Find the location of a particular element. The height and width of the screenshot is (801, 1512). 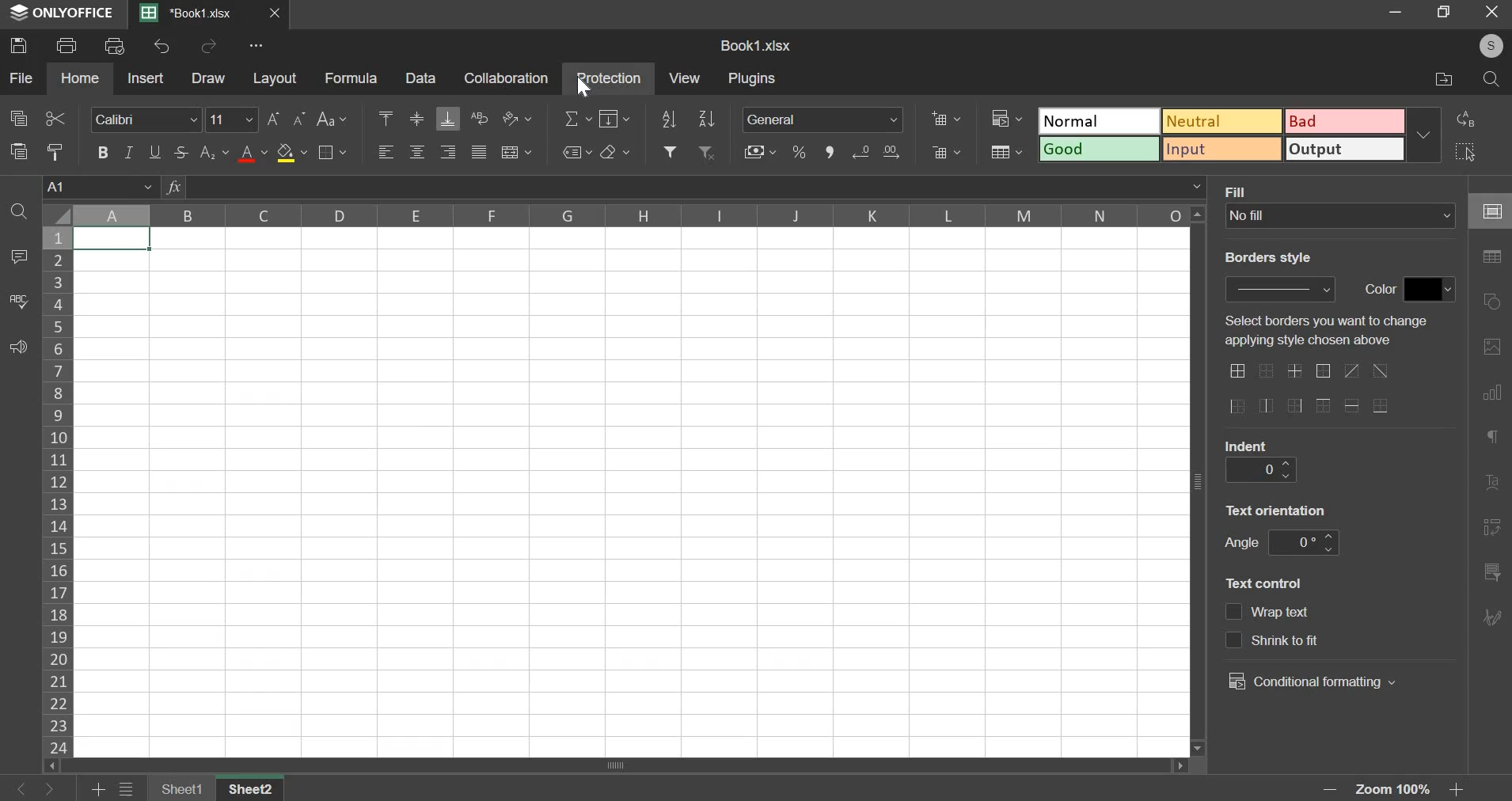

merge & center is located at coordinates (516, 150).